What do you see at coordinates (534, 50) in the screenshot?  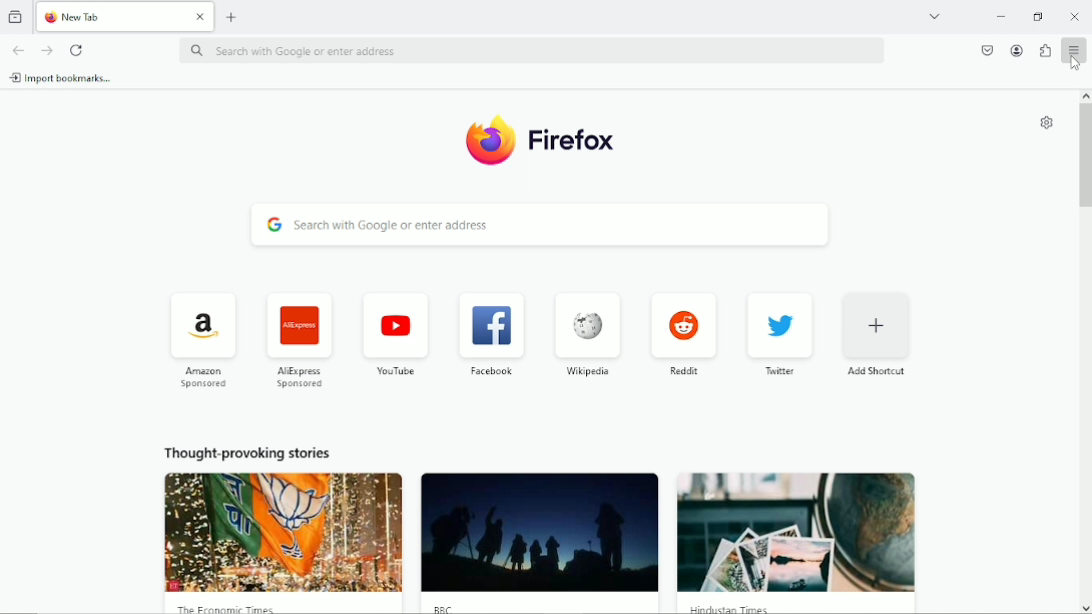 I see `Search with google or enter address` at bounding box center [534, 50].